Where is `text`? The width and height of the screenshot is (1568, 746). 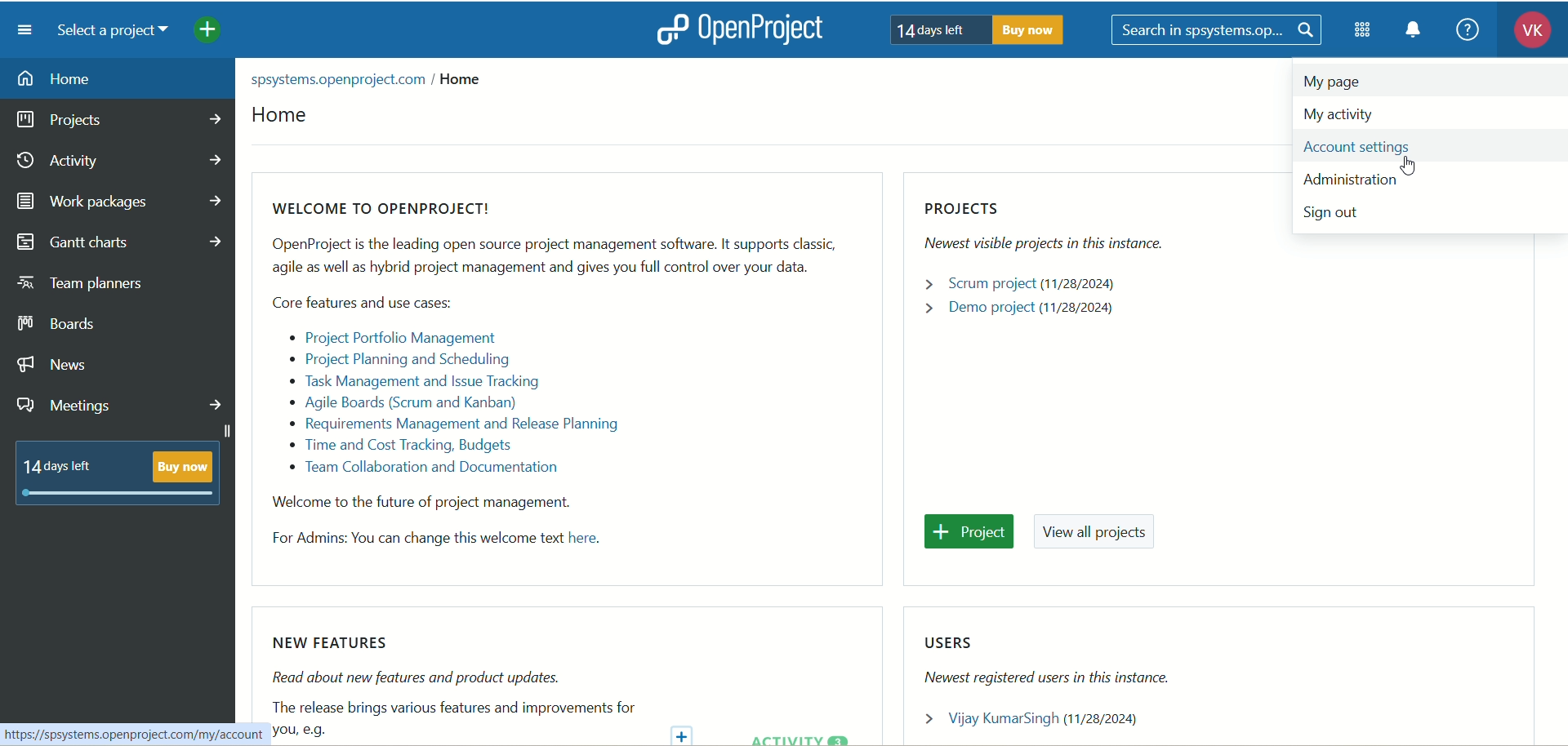
text is located at coordinates (553, 377).